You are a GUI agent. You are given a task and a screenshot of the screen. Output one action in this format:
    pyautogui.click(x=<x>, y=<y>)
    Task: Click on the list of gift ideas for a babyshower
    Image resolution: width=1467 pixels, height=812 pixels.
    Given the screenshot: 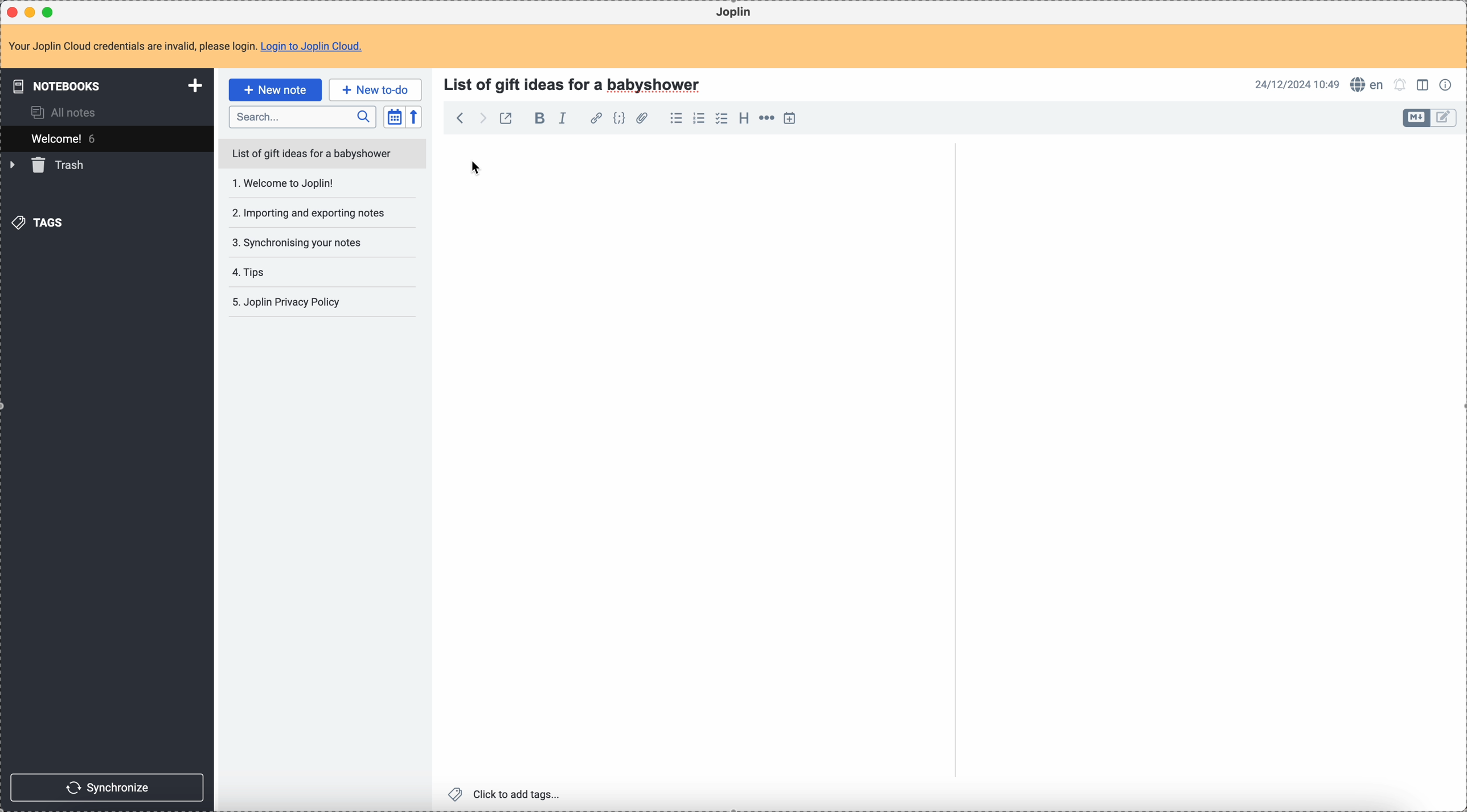 What is the action you would take?
    pyautogui.click(x=324, y=155)
    